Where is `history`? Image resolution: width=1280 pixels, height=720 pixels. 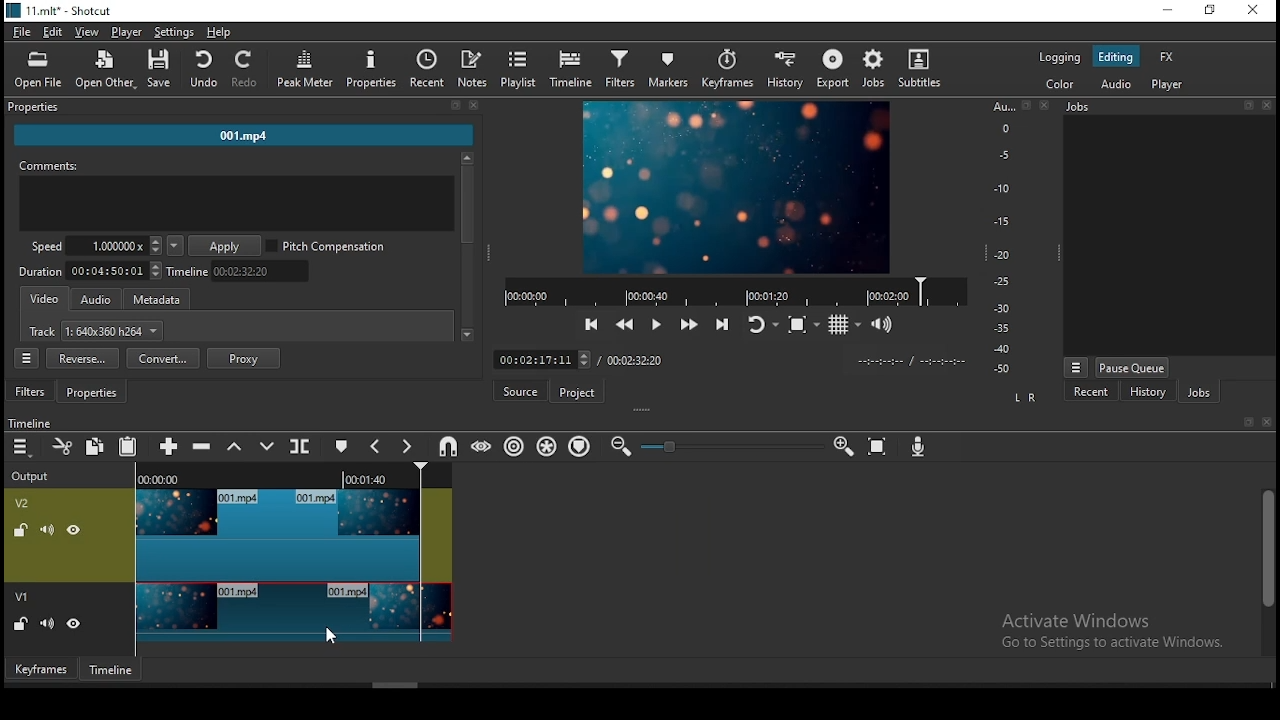 history is located at coordinates (790, 70).